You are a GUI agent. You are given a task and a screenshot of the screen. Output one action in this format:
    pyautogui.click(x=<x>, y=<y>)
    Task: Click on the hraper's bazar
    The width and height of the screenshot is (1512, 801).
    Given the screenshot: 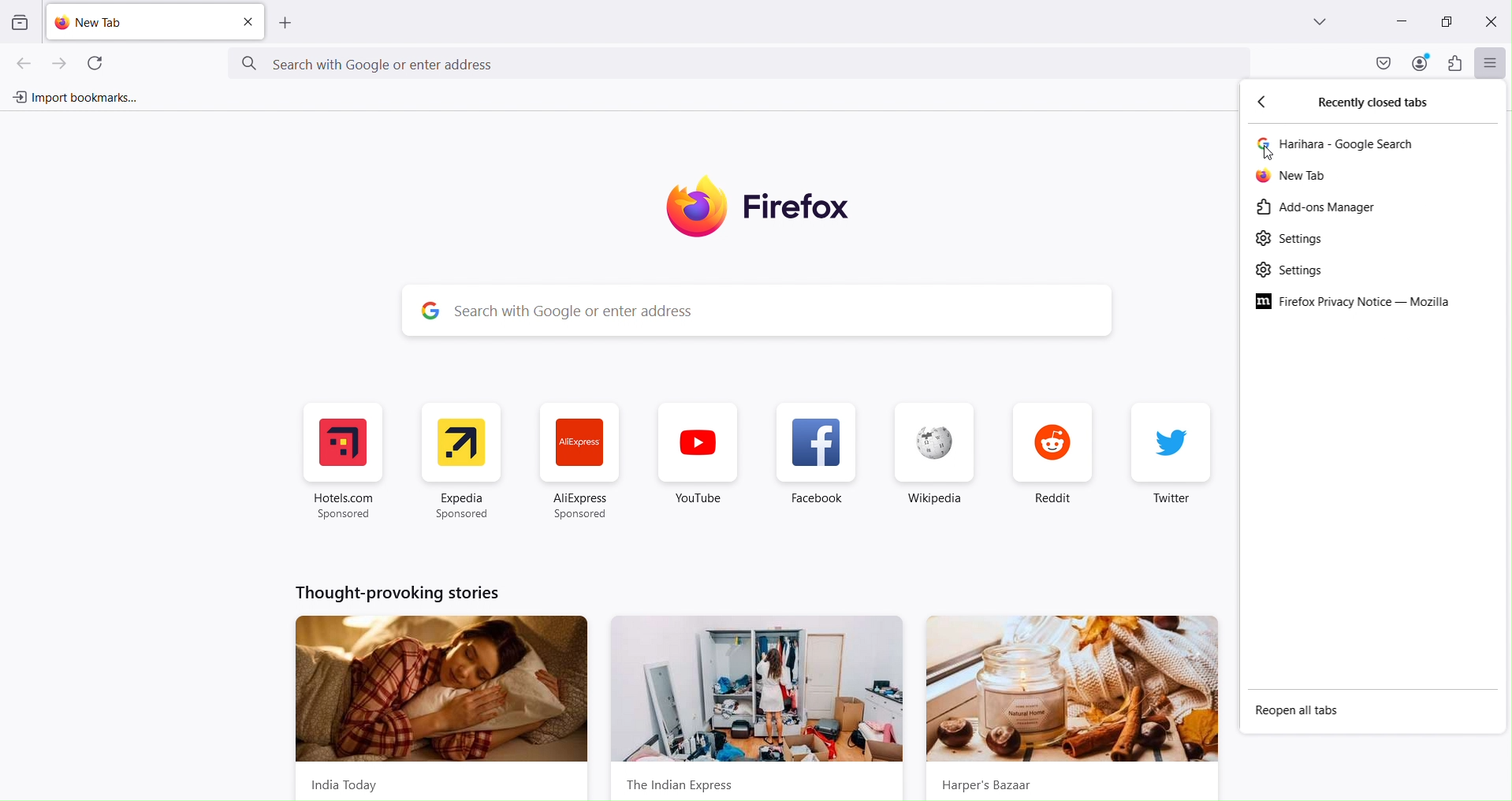 What is the action you would take?
    pyautogui.click(x=1073, y=708)
    